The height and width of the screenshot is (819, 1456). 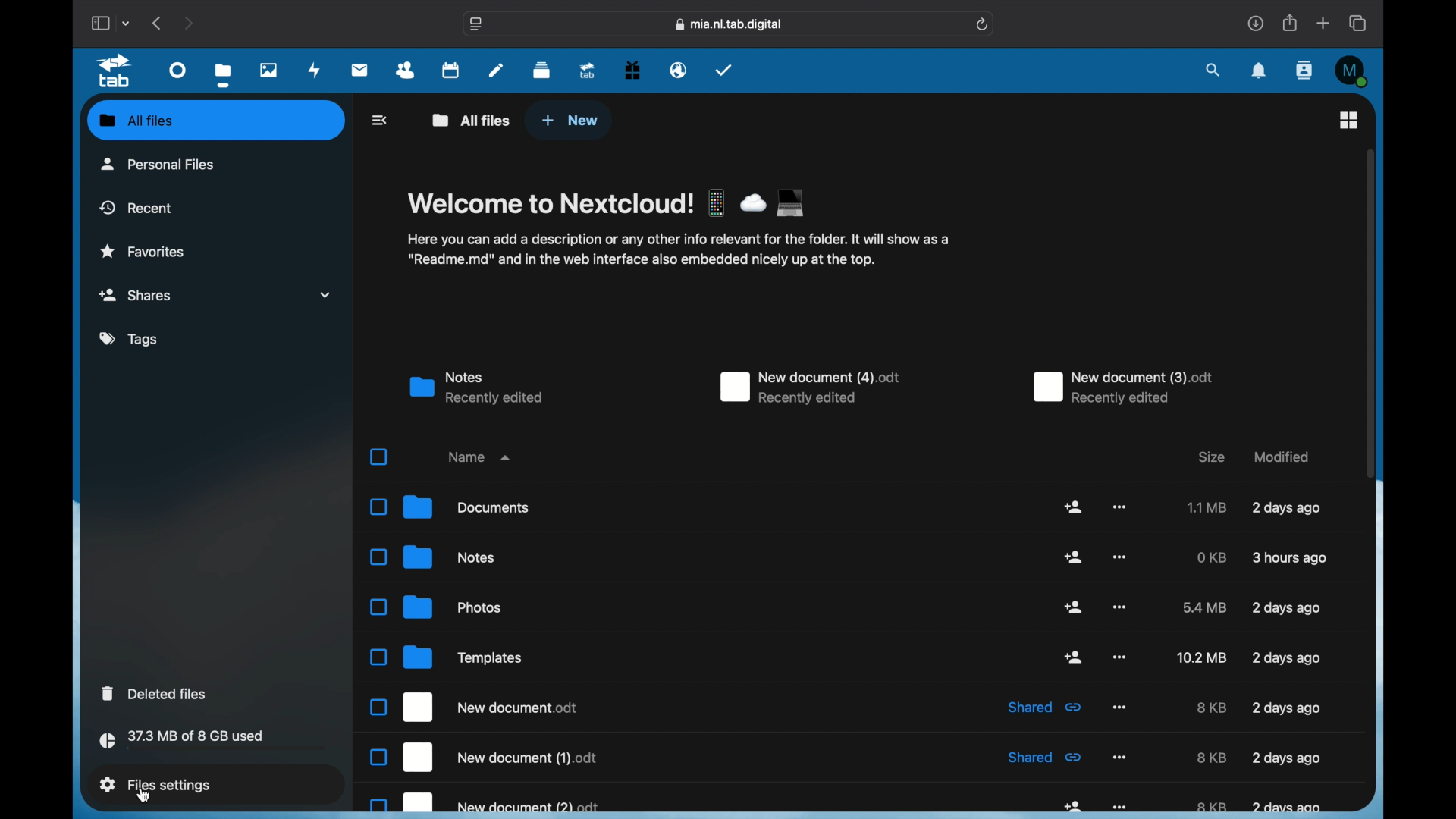 What do you see at coordinates (130, 340) in the screenshot?
I see `tags` at bounding box center [130, 340].